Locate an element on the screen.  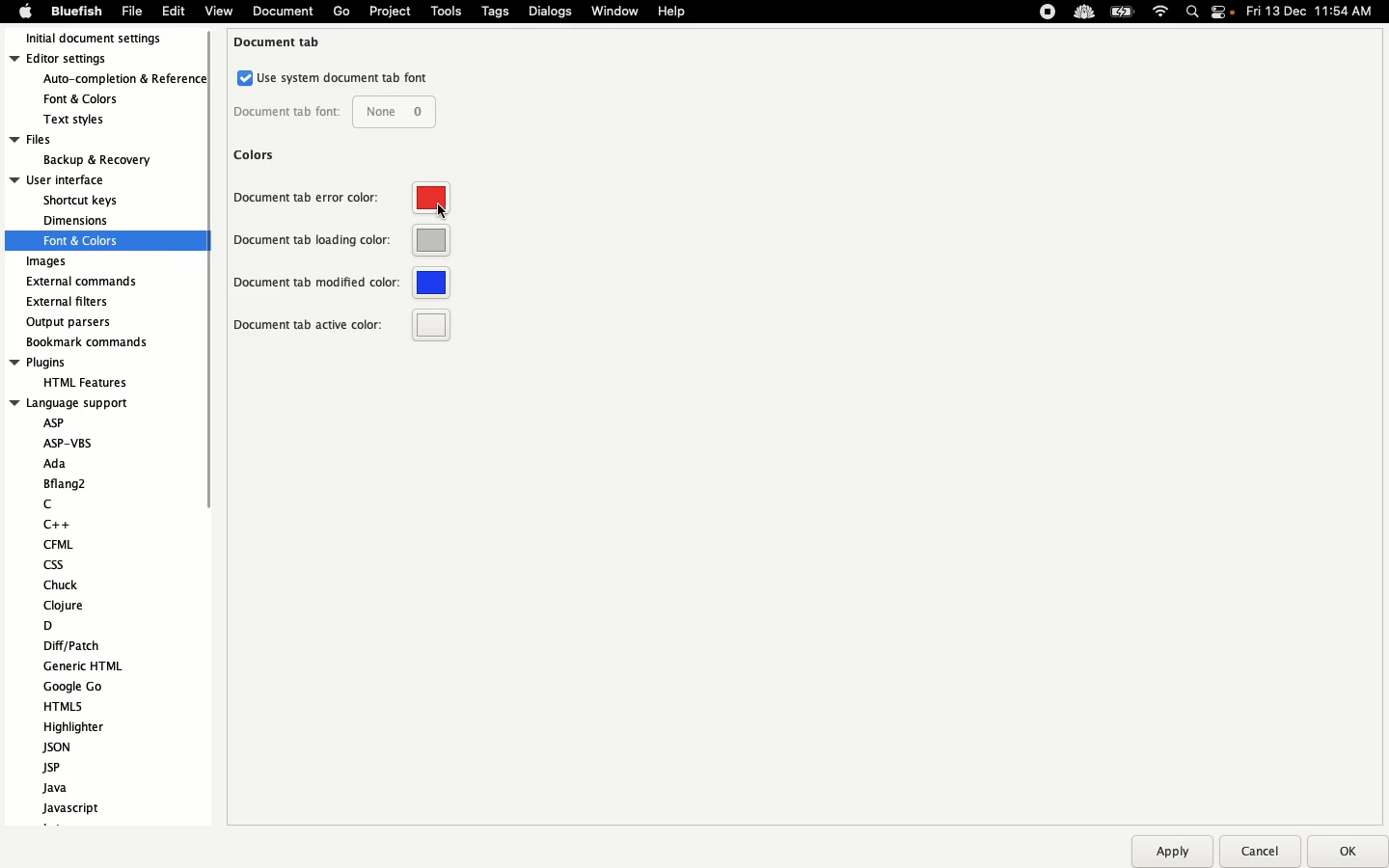
text styles is located at coordinates (87, 120).